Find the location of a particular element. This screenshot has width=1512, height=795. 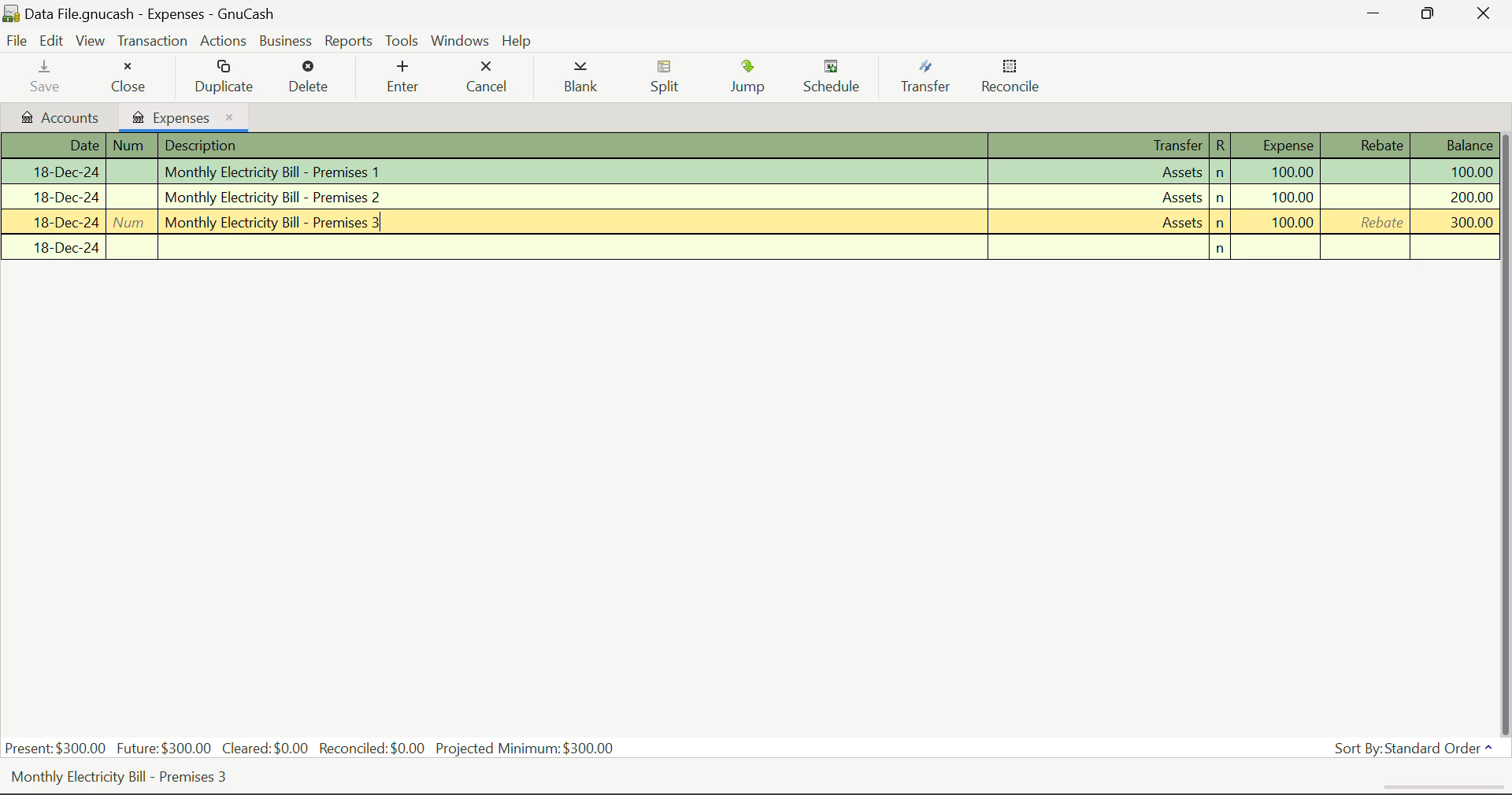

Cancel is located at coordinates (491, 79).